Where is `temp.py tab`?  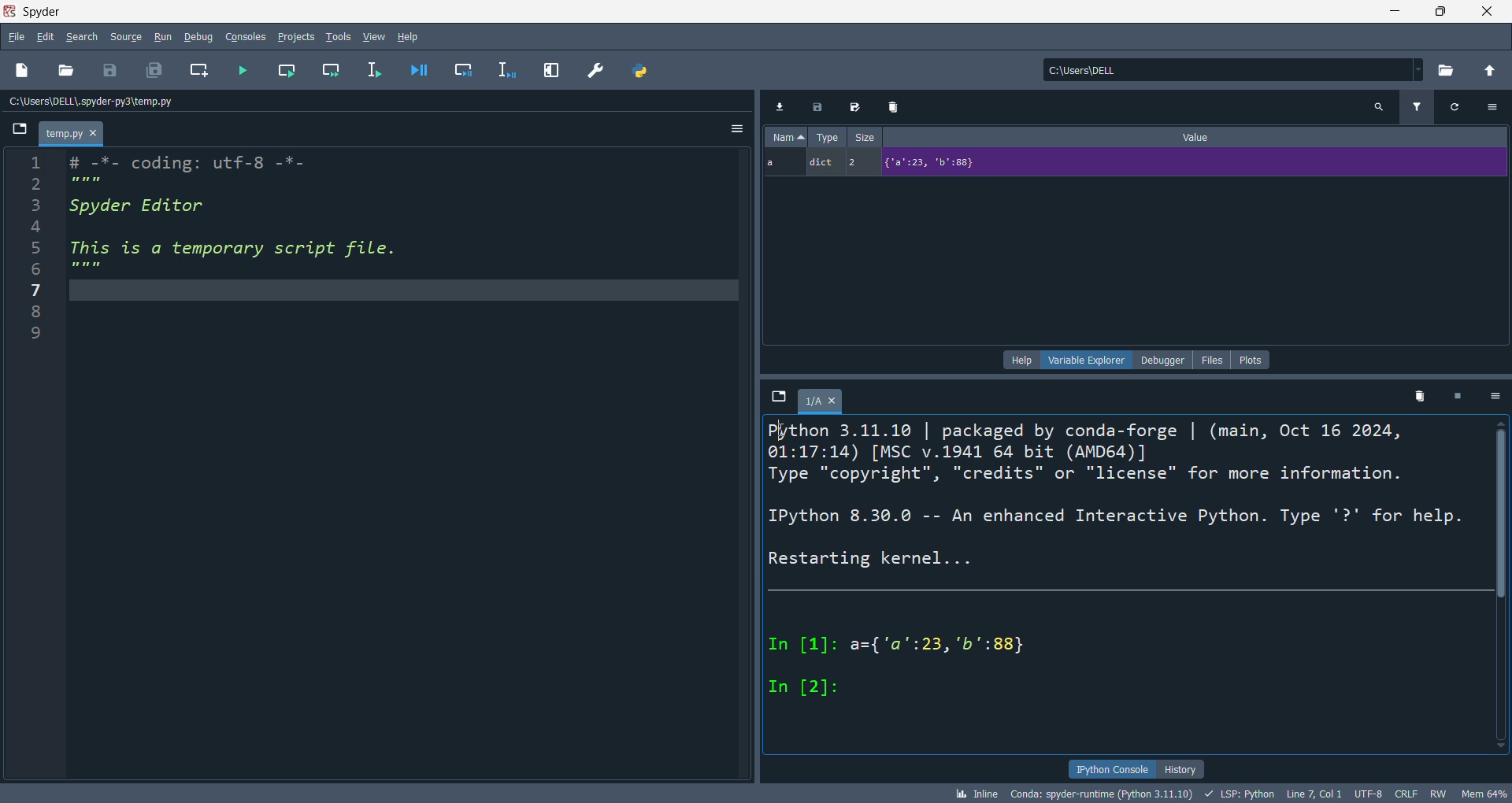
temp.py tab is located at coordinates (72, 132).